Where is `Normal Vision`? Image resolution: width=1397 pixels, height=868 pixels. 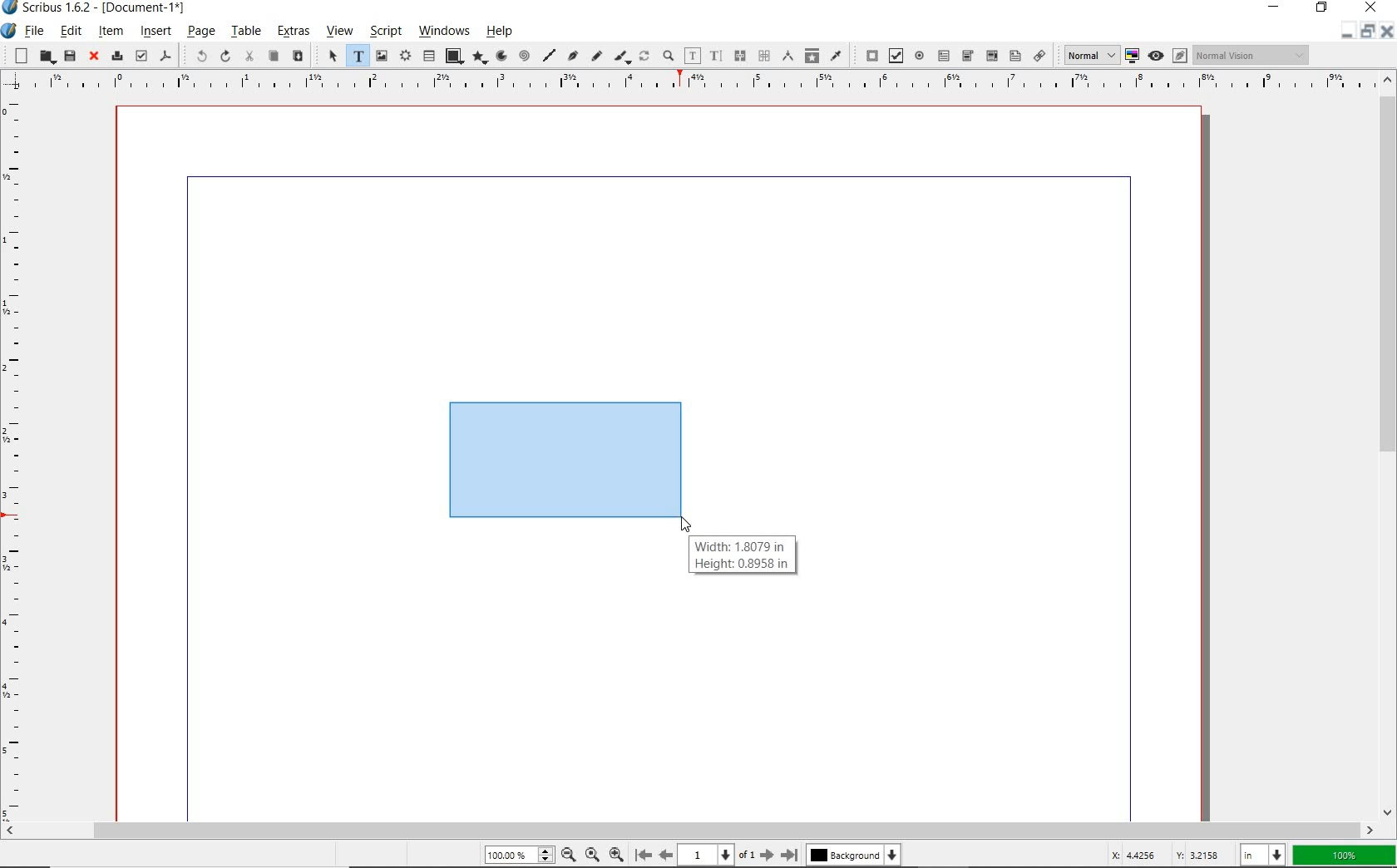
Normal Vision is located at coordinates (1253, 57).